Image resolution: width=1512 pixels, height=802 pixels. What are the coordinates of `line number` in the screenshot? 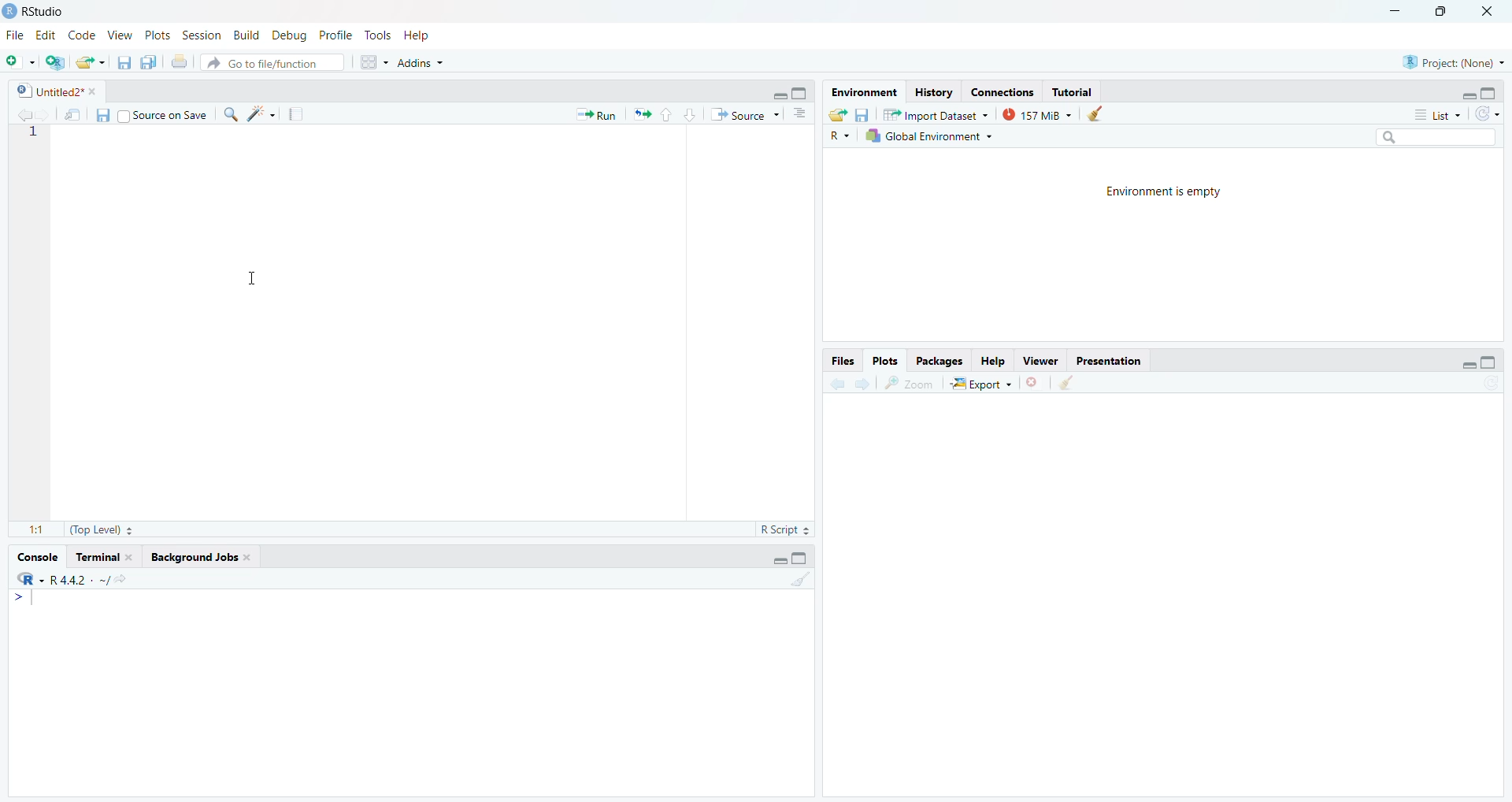 It's located at (31, 134).